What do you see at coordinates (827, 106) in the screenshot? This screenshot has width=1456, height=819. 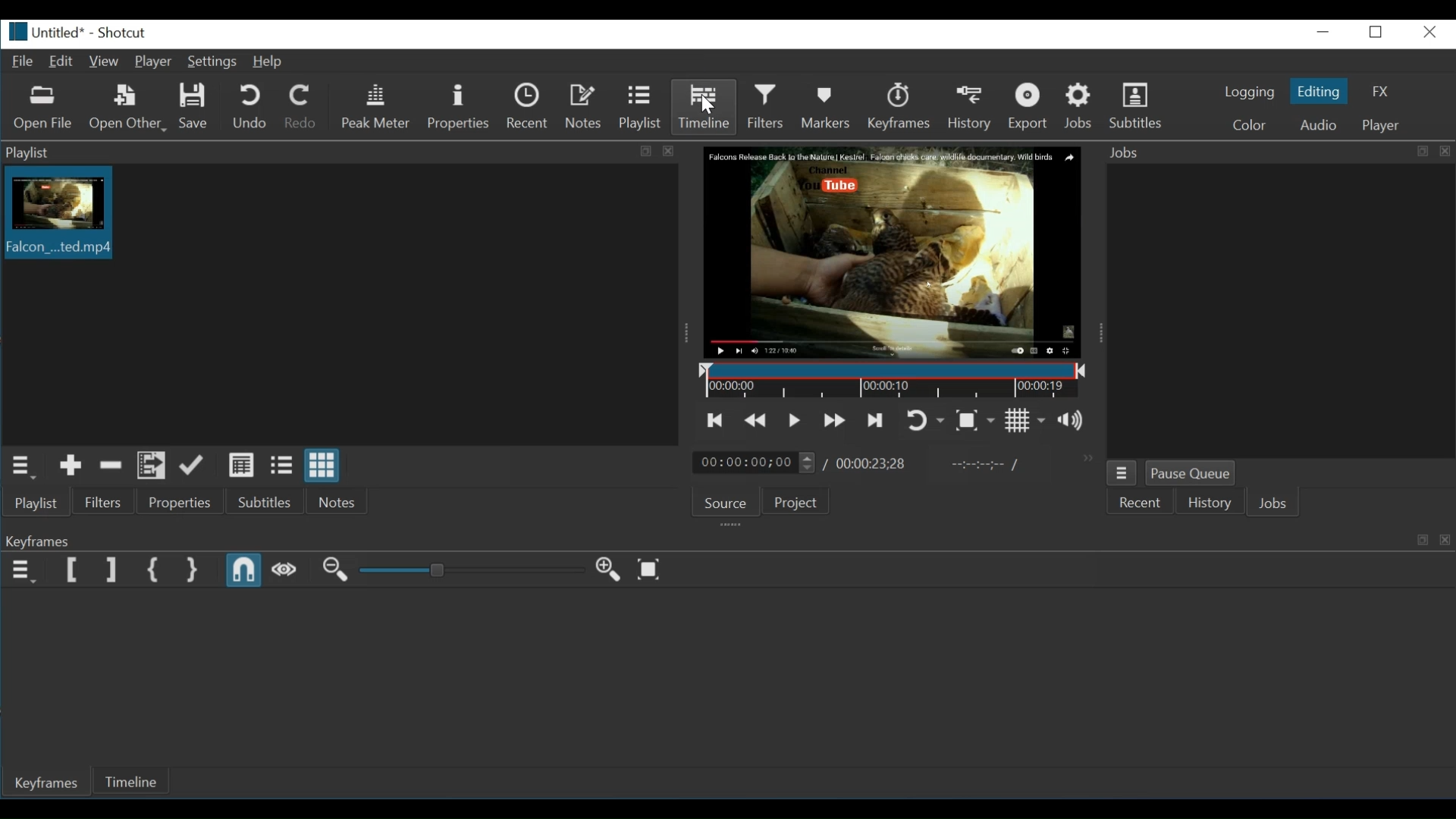 I see `Markers` at bounding box center [827, 106].